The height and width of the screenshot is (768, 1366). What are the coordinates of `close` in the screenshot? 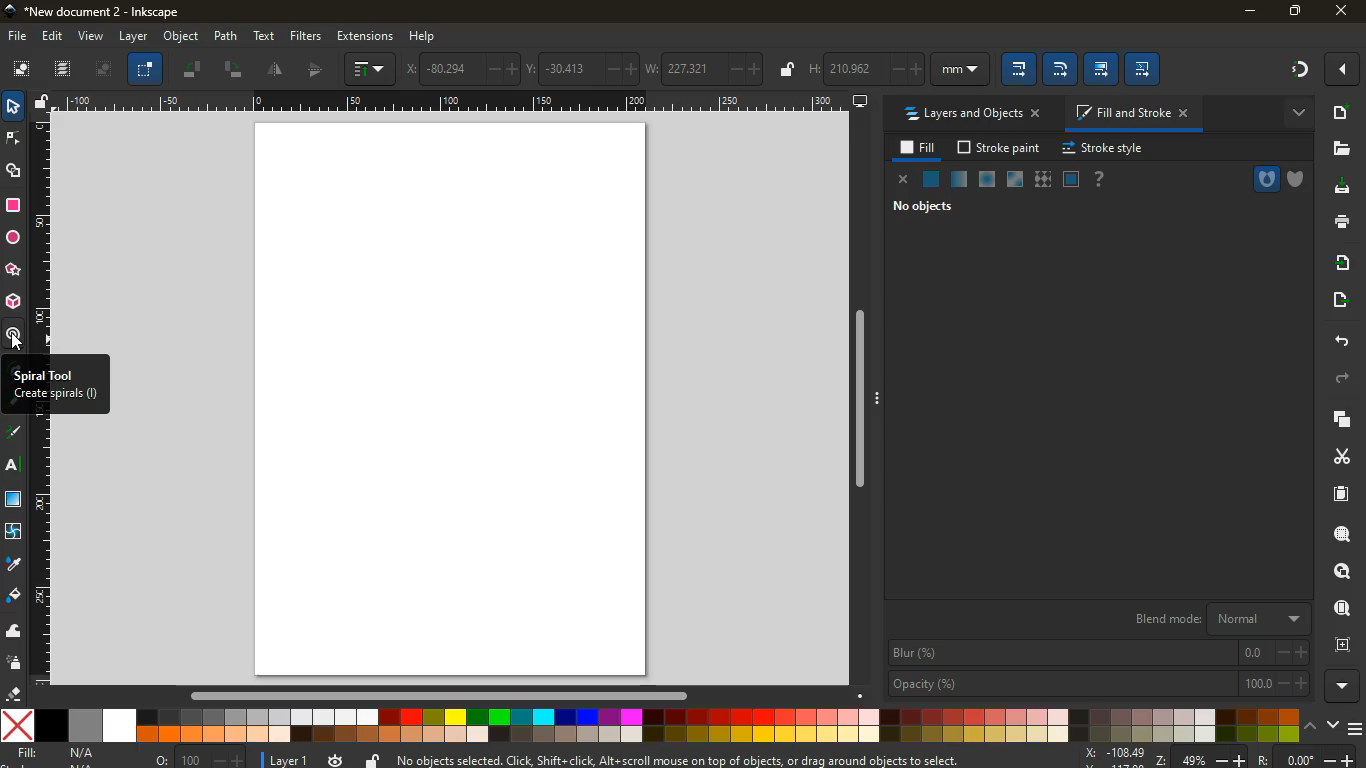 It's located at (903, 179).